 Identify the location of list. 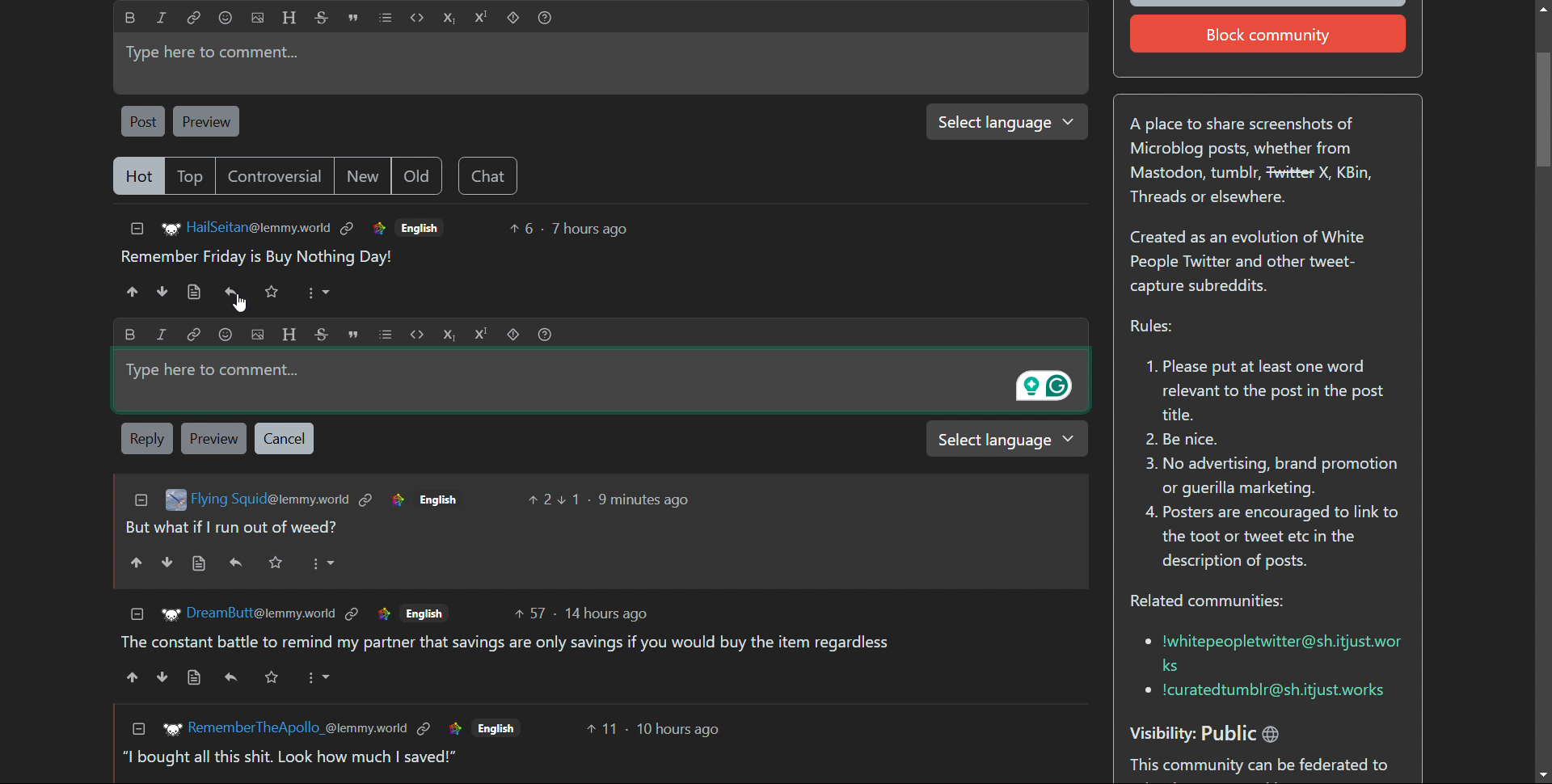
(385, 333).